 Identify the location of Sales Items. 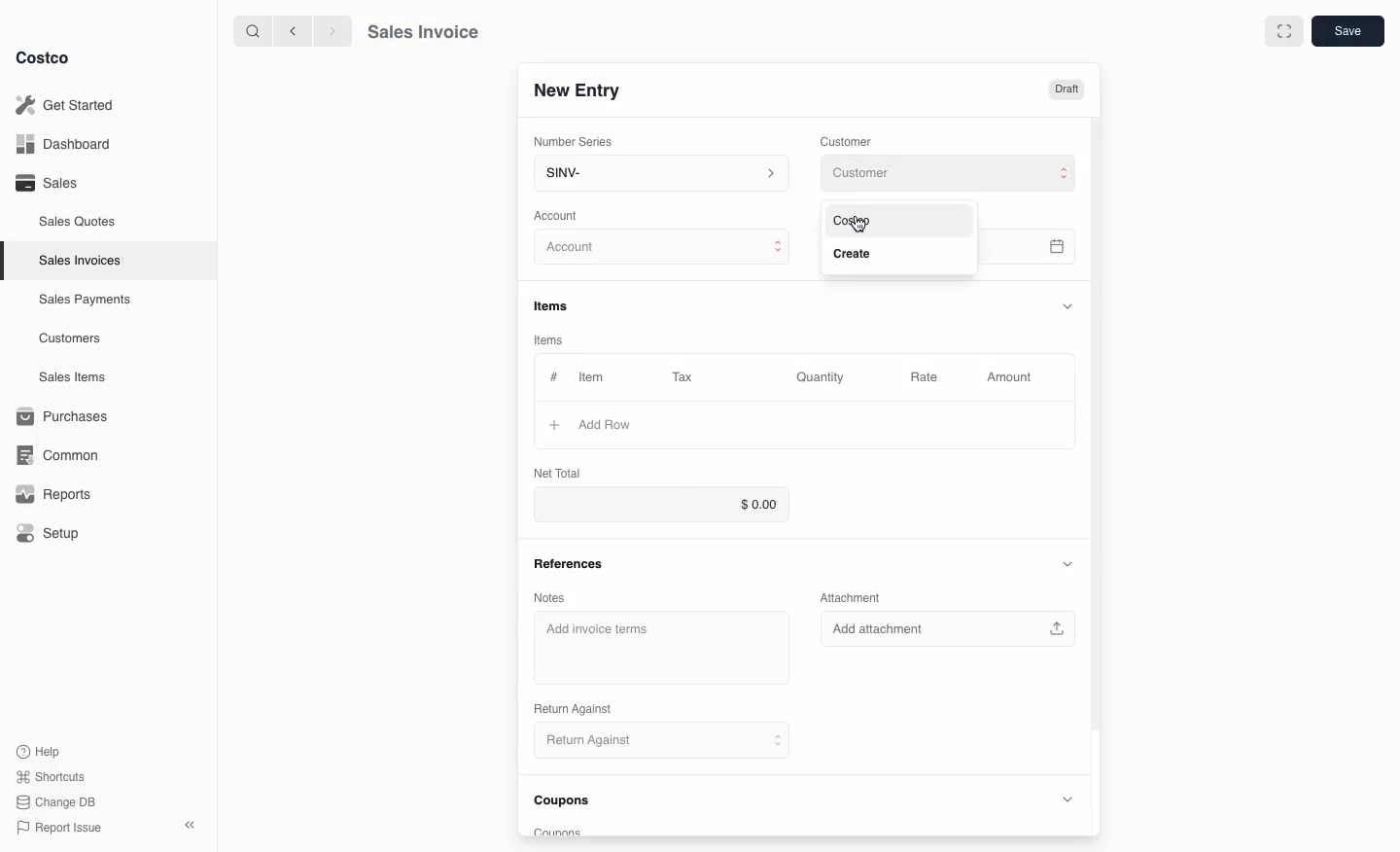
(75, 375).